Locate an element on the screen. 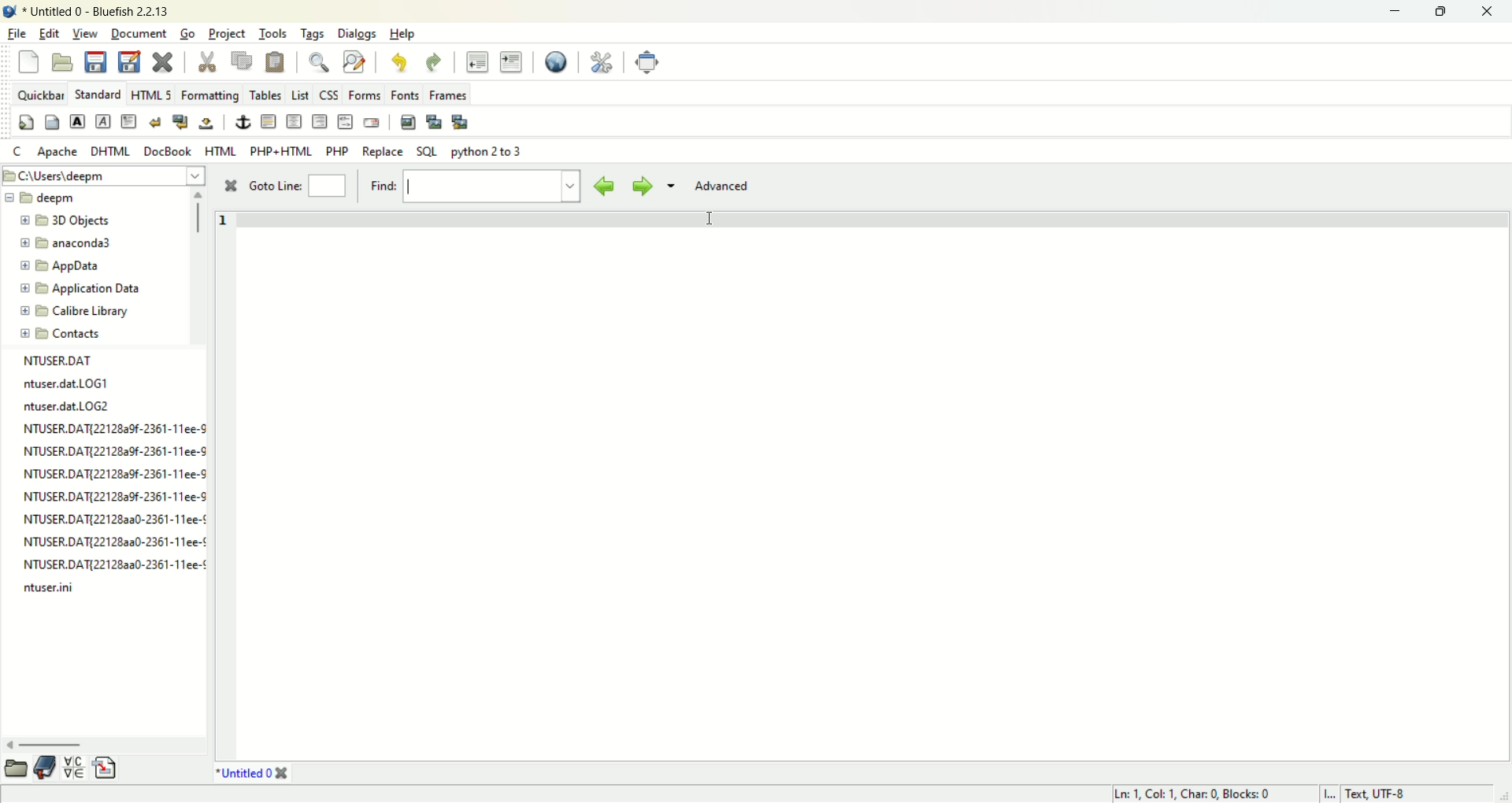 This screenshot has width=1512, height=803. Standard is located at coordinates (98, 93).